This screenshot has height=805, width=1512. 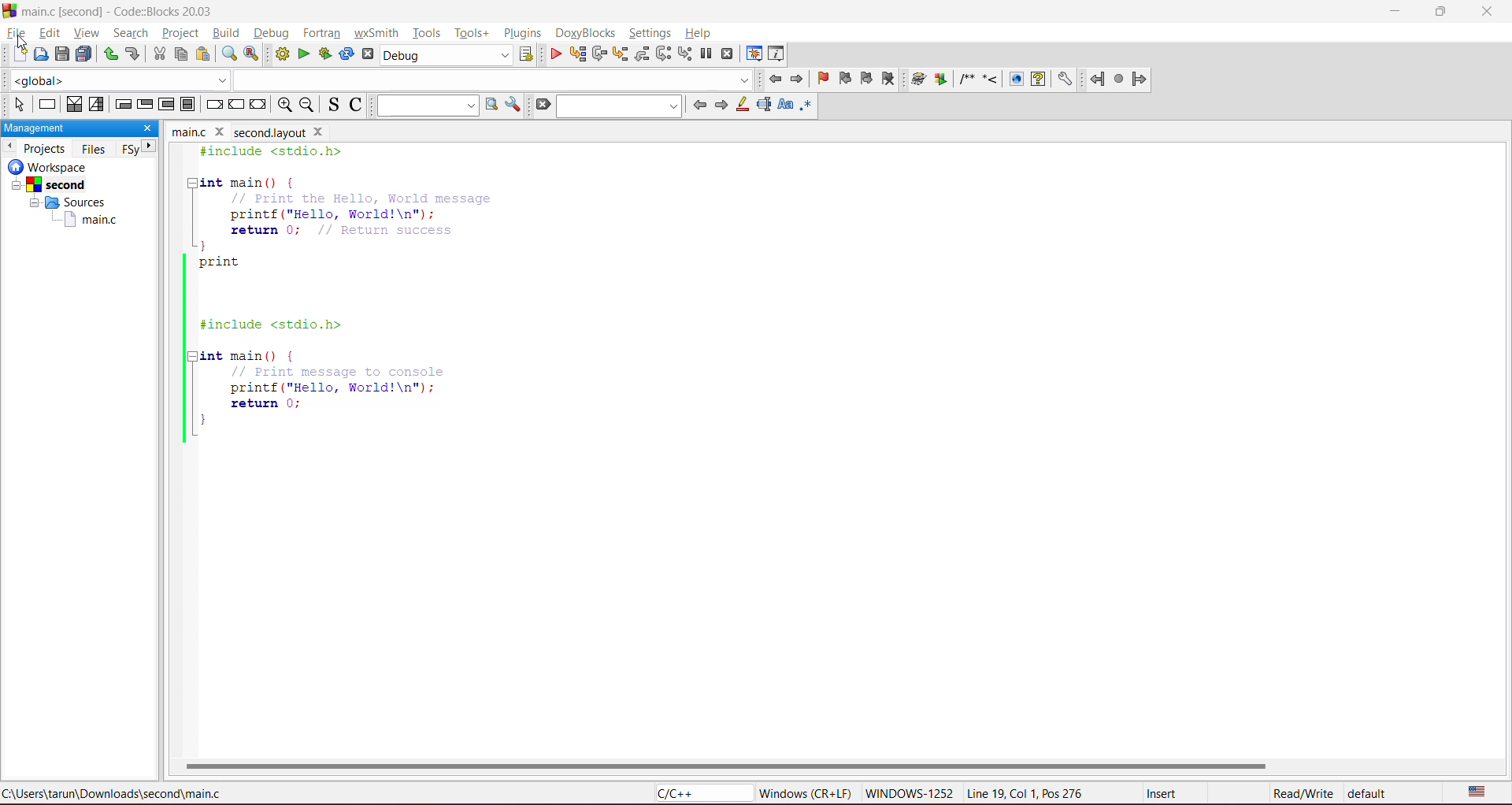 What do you see at coordinates (699, 106) in the screenshot?
I see `previous` at bounding box center [699, 106].